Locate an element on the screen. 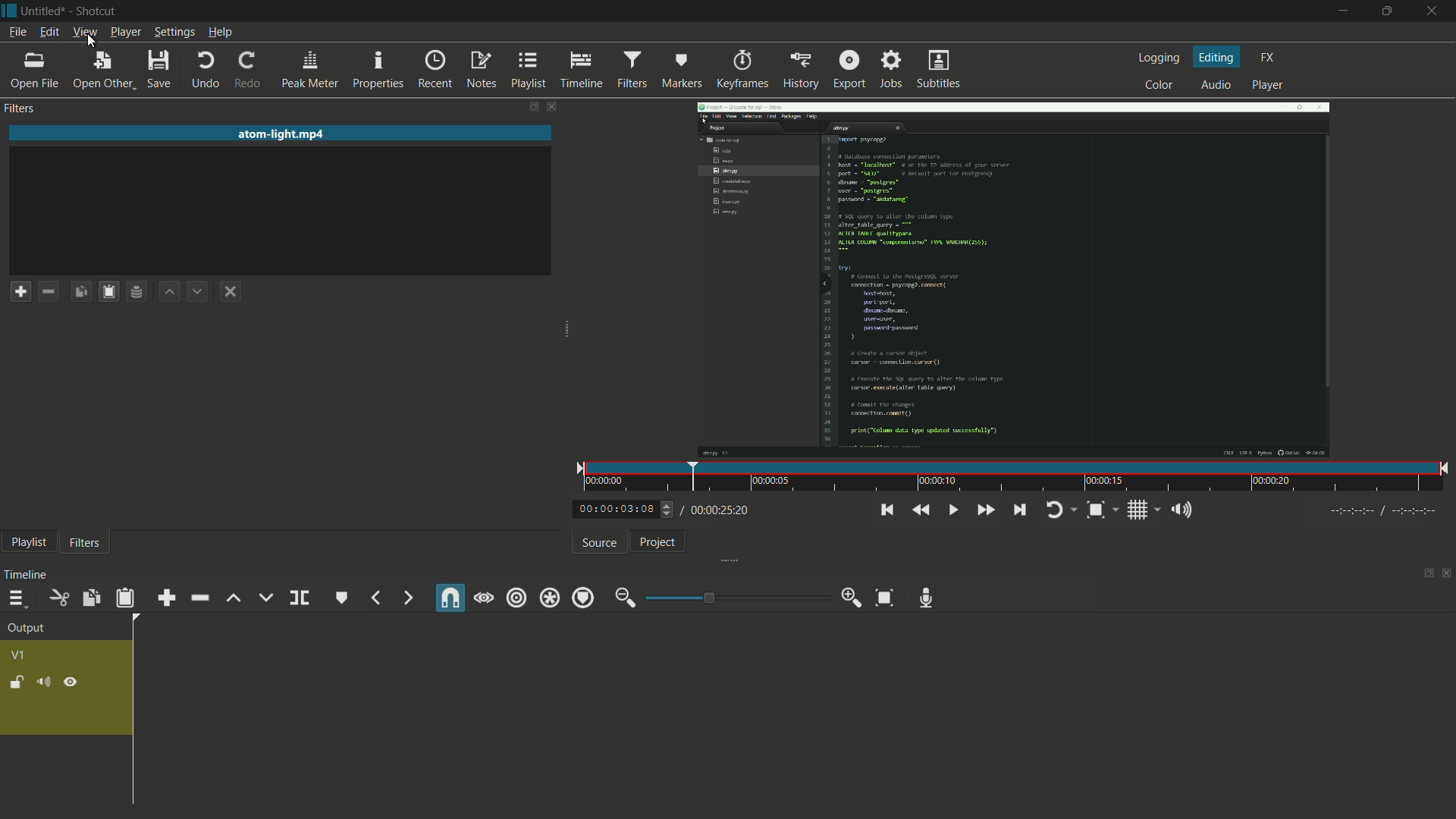  next marker is located at coordinates (405, 598).